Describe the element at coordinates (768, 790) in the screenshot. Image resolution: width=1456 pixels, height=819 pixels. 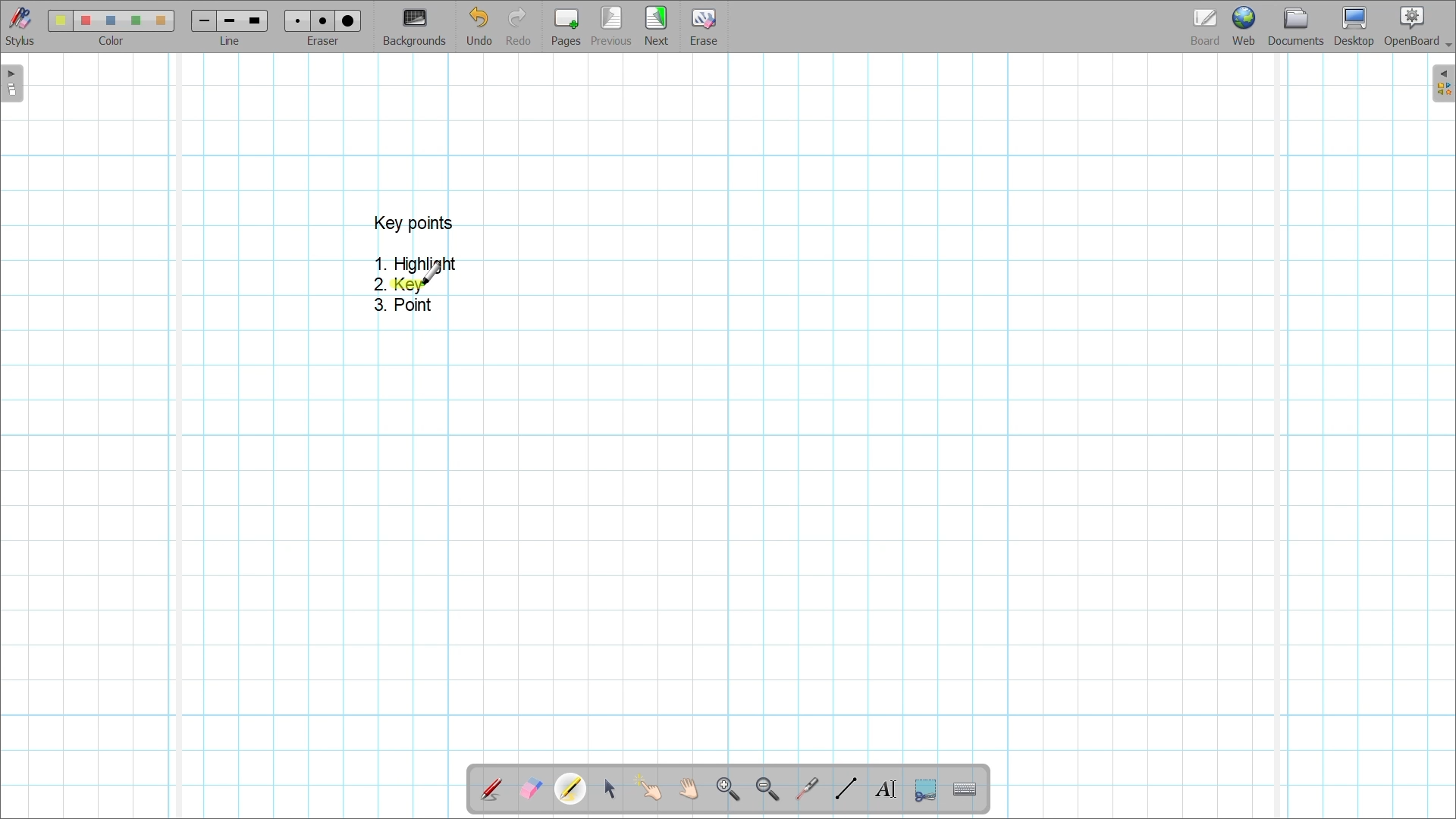
I see `Zoom out` at that location.